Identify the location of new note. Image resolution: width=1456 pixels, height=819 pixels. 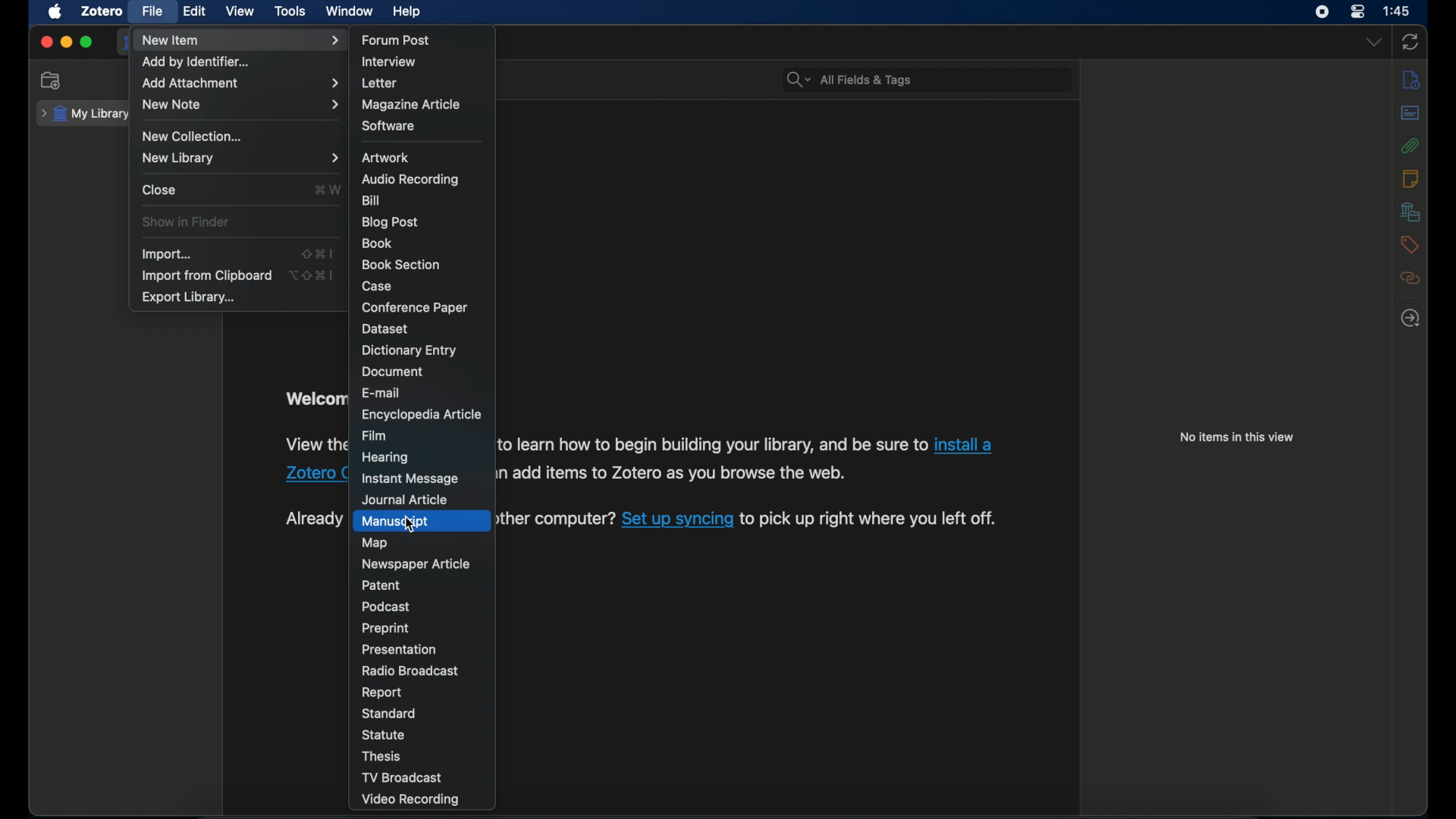
(241, 104).